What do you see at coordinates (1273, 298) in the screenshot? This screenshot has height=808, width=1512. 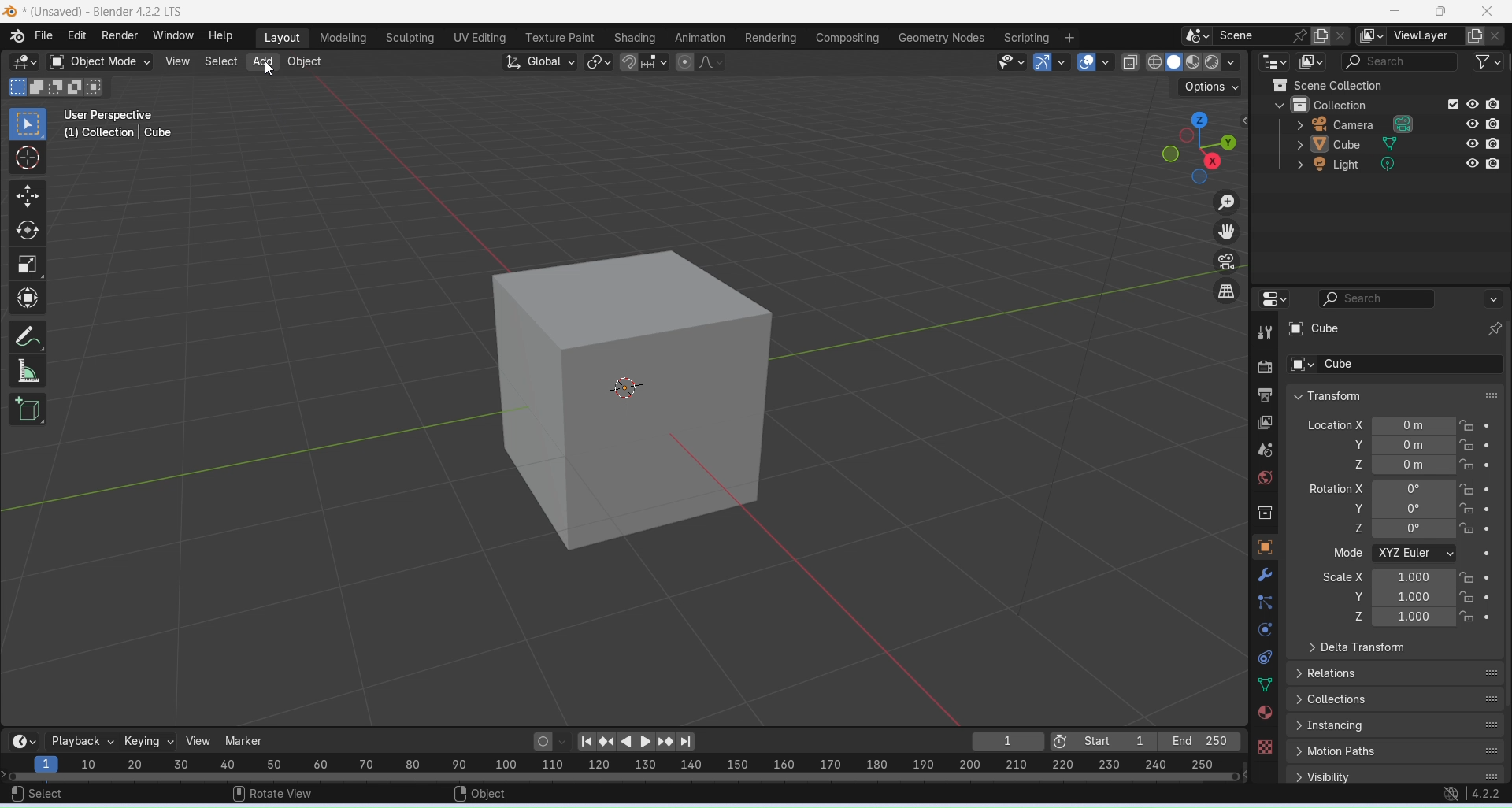 I see `Editor type` at bounding box center [1273, 298].